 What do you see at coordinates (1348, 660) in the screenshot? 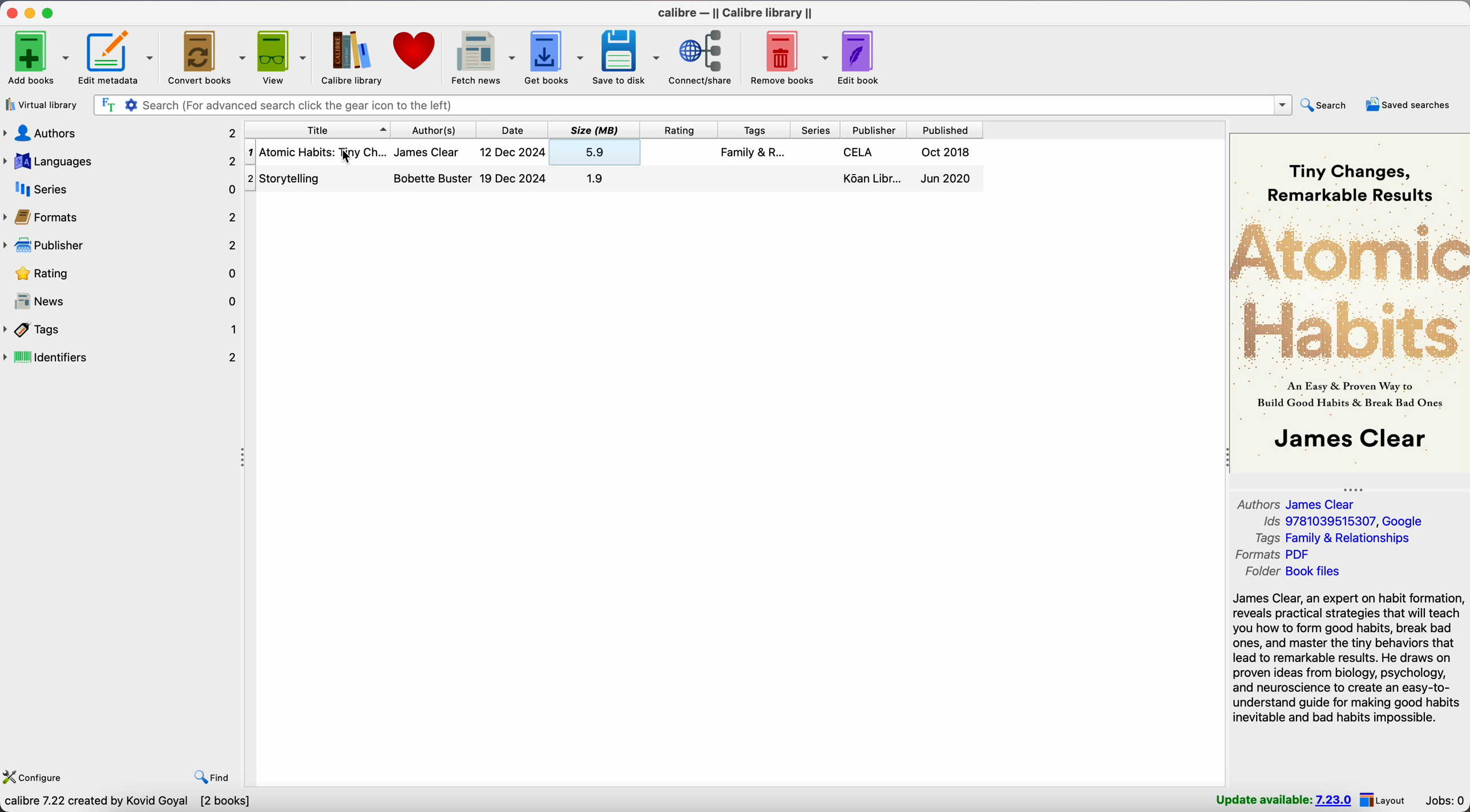
I see `James Clear, an expert on habit formation, reveals practical strategies that will teach you how to form good habits, break bad ones, and master the tiny behaviors that lead to remarkable results. He draws on proven ideas from biology, psychology, and neuroscience...` at bounding box center [1348, 660].